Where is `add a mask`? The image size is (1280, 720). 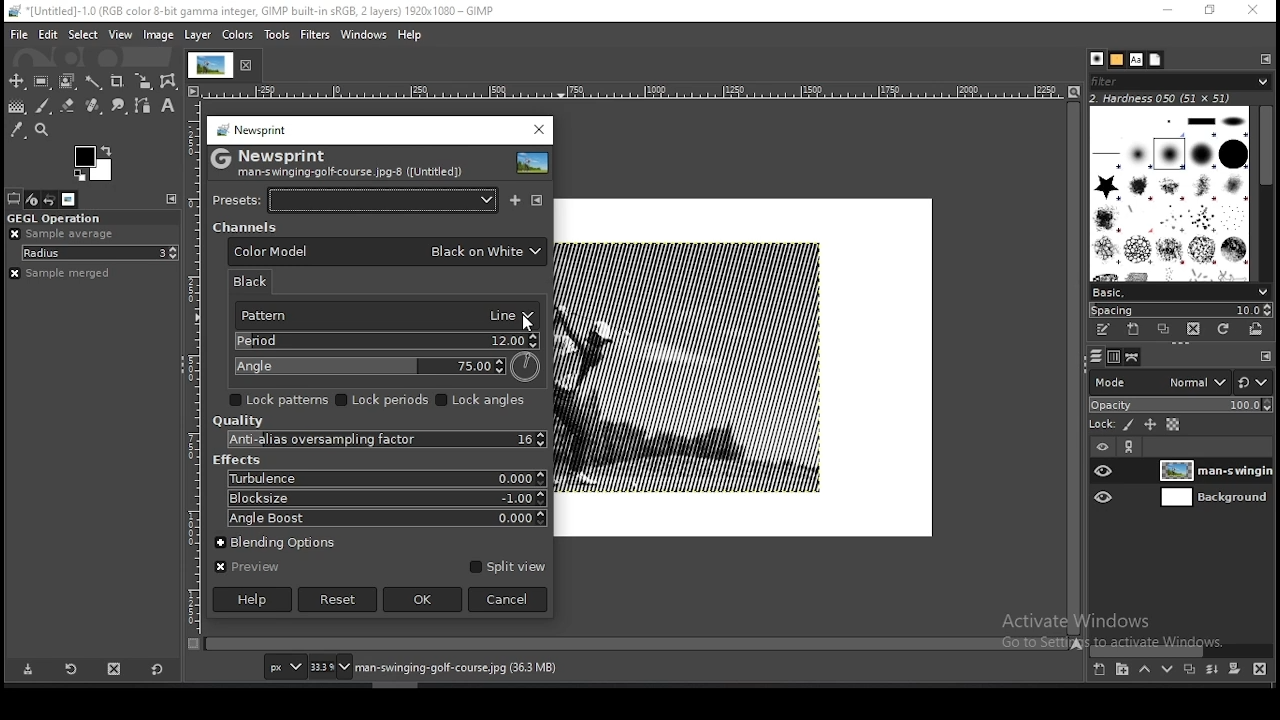
add a mask is located at coordinates (1236, 669).